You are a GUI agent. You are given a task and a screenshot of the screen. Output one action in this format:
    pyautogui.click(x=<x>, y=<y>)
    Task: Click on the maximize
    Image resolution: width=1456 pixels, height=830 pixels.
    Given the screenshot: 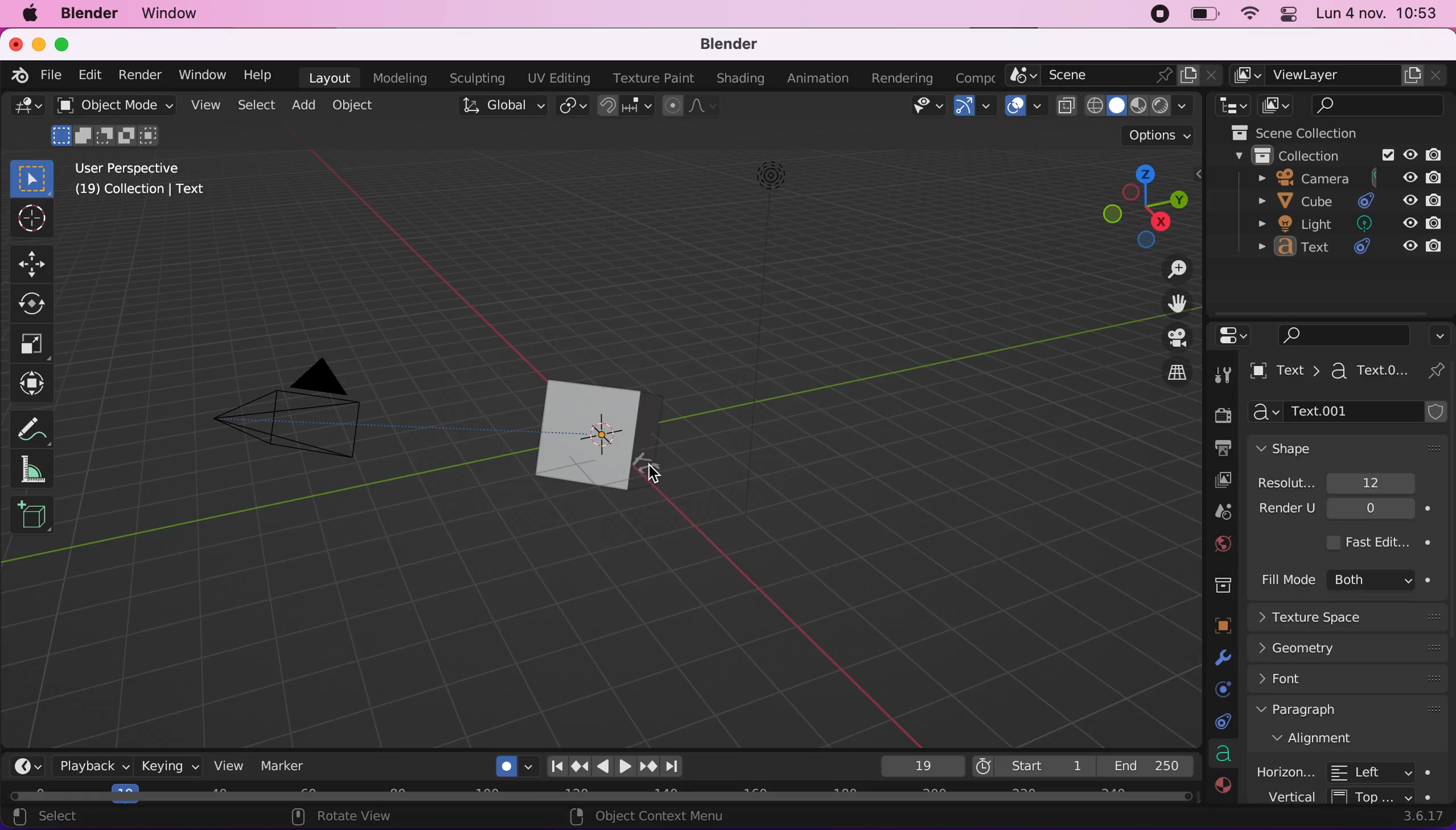 What is the action you would take?
    pyautogui.click(x=64, y=43)
    